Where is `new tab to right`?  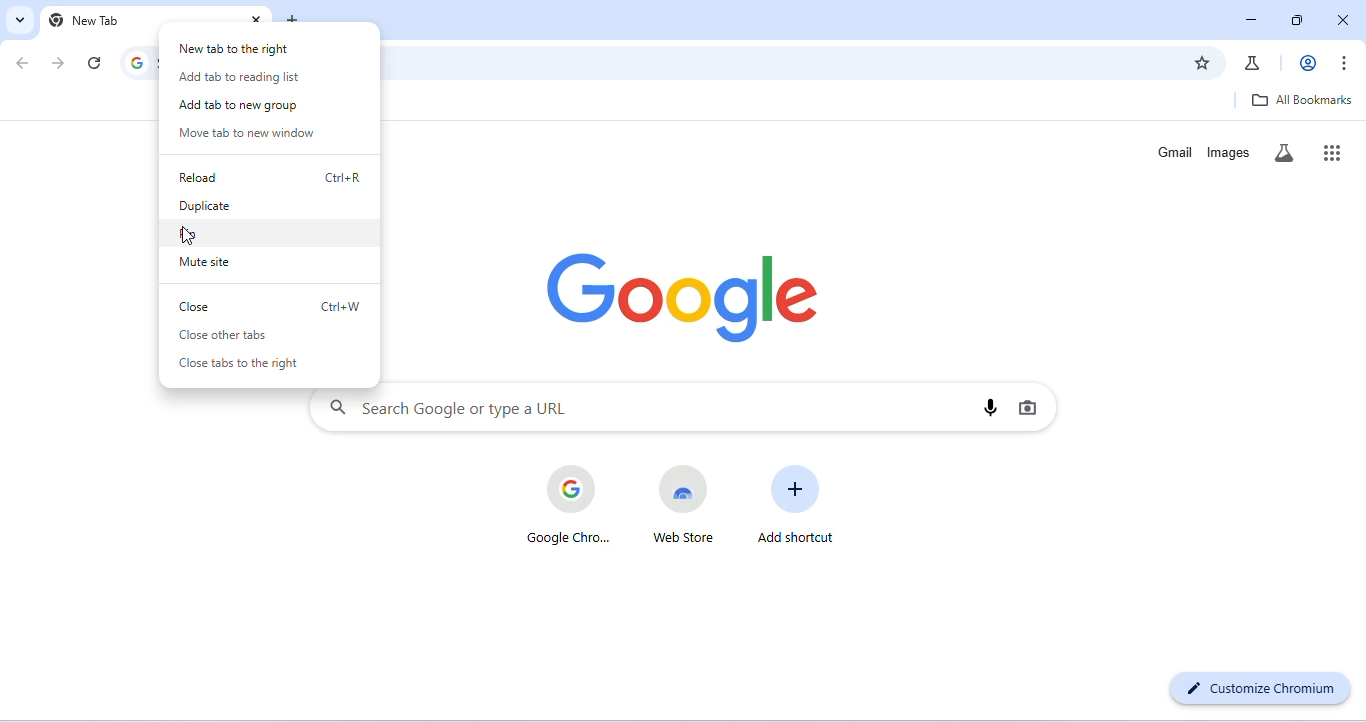
new tab to right is located at coordinates (236, 48).